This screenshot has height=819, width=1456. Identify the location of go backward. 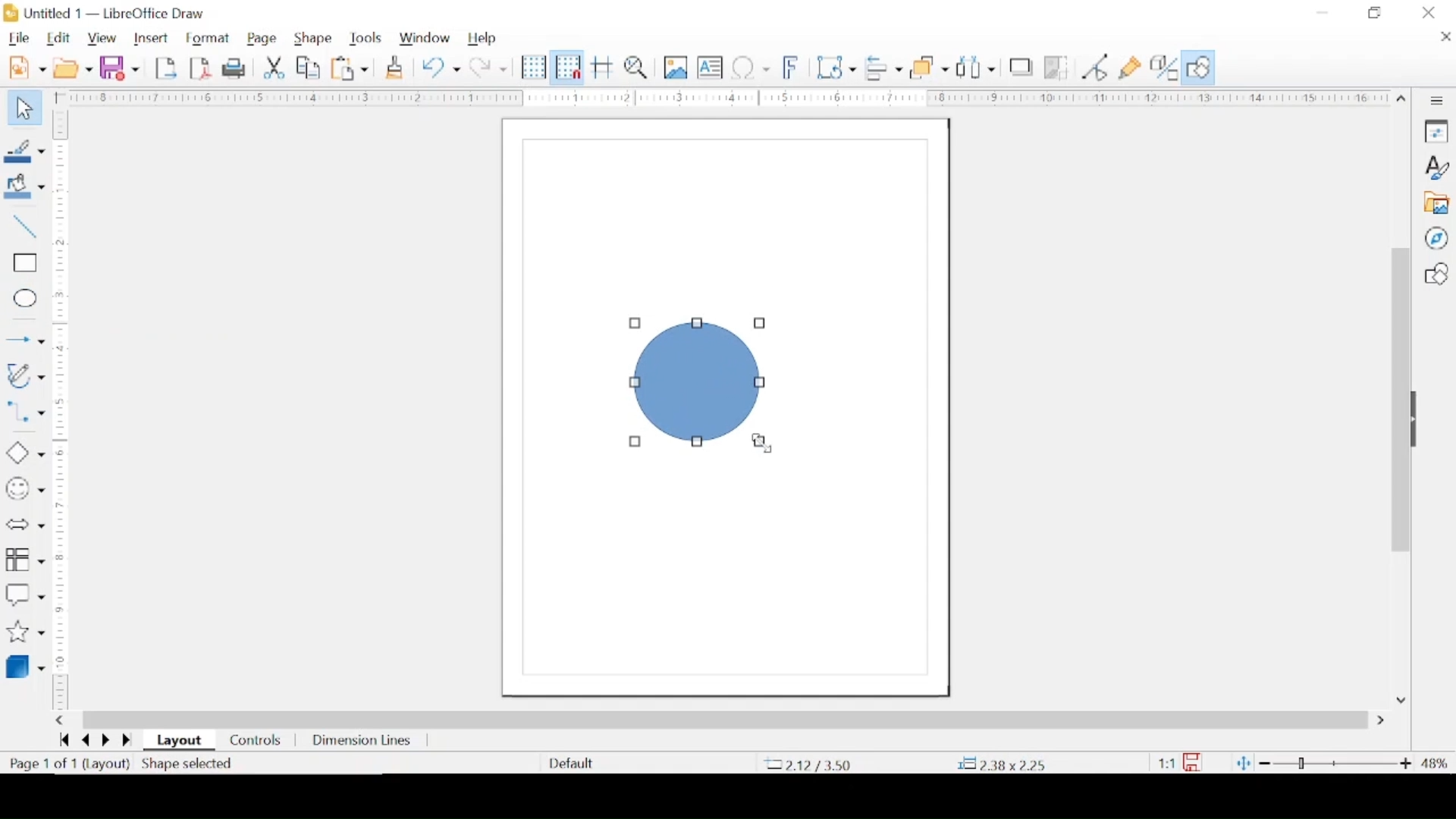
(61, 742).